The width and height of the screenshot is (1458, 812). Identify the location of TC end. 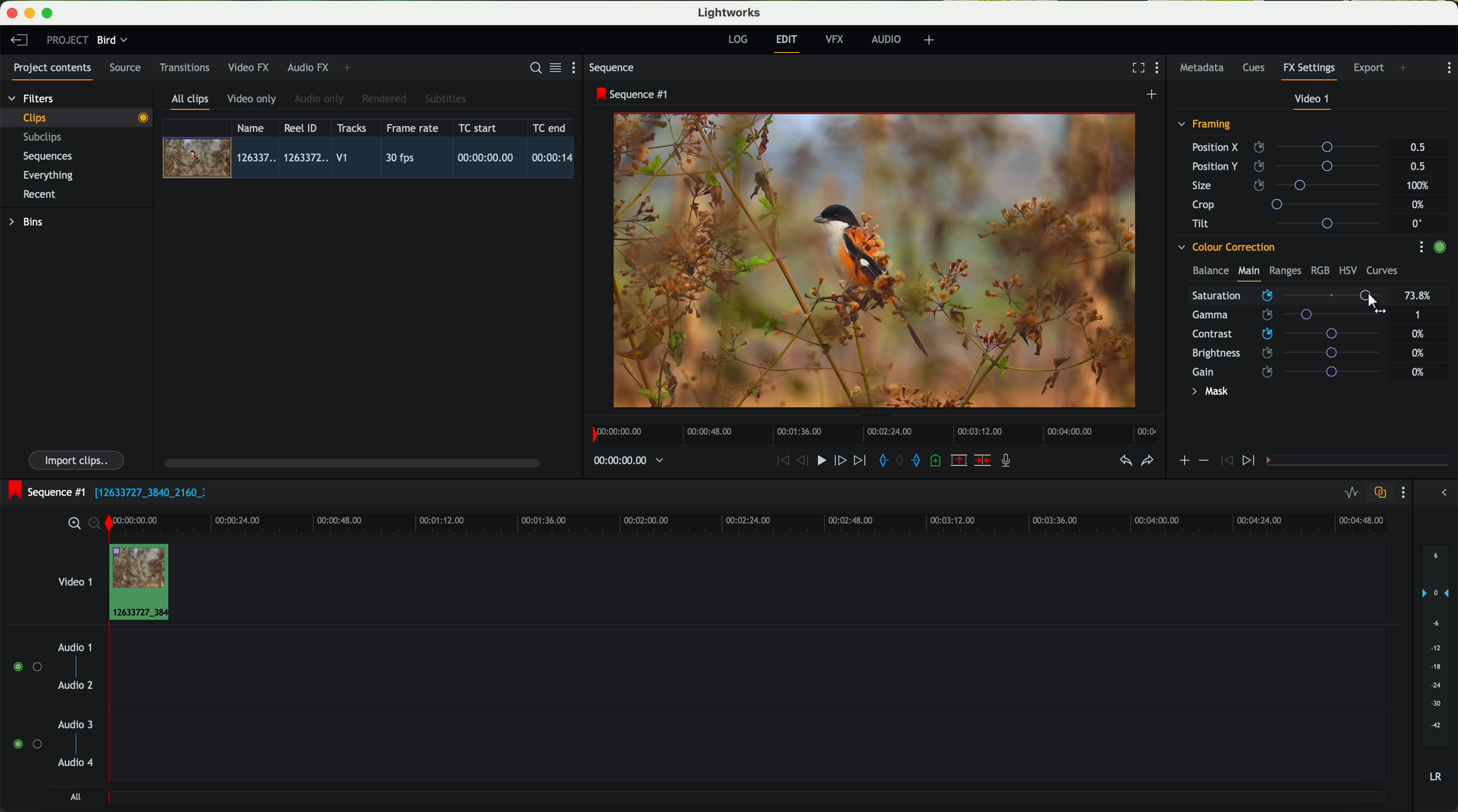
(550, 127).